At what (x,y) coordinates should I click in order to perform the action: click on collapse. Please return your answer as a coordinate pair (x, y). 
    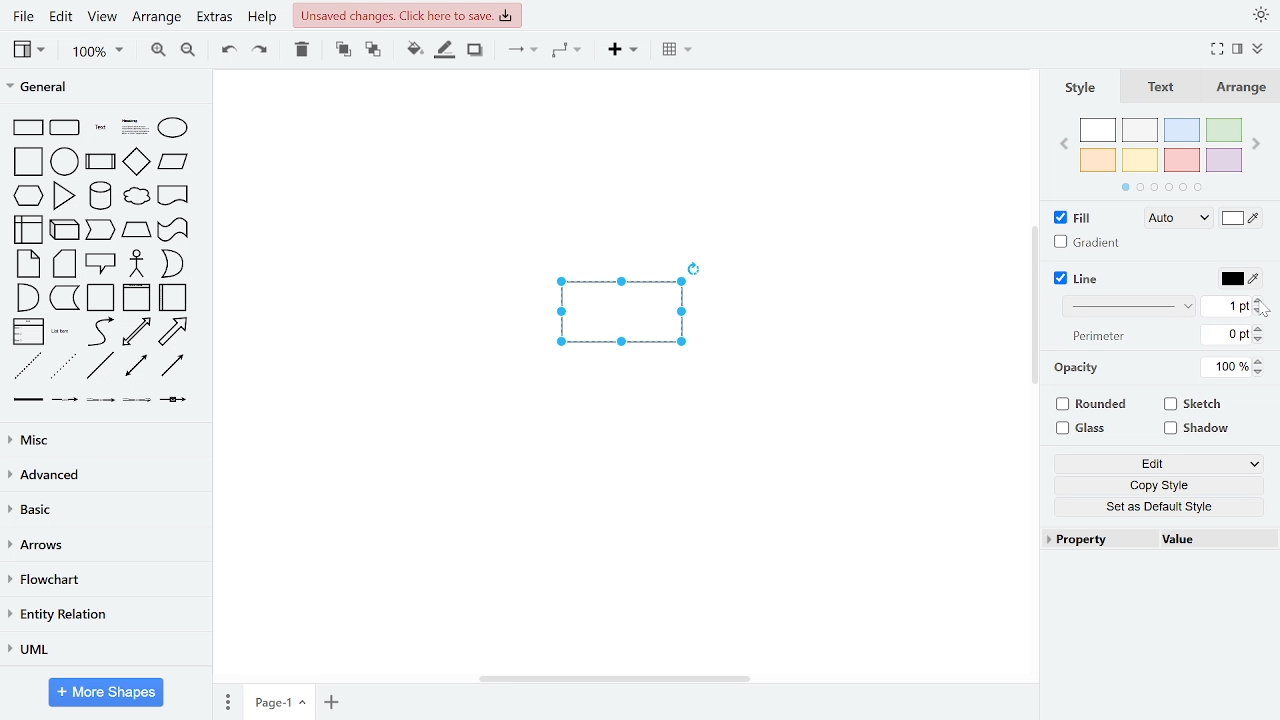
    Looking at the image, I should click on (1258, 50).